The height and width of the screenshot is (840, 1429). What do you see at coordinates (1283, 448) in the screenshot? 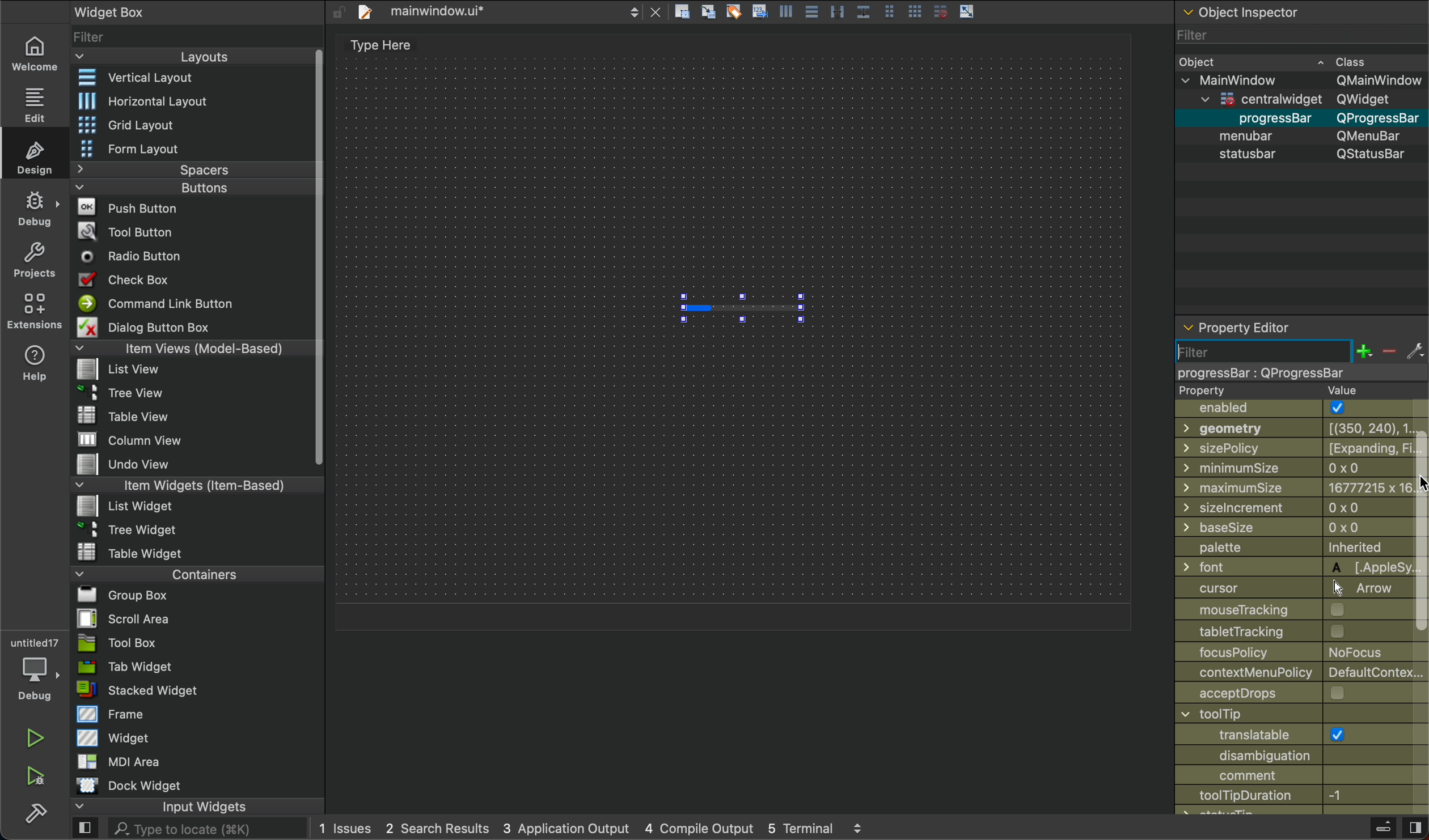
I see `size policy` at bounding box center [1283, 448].